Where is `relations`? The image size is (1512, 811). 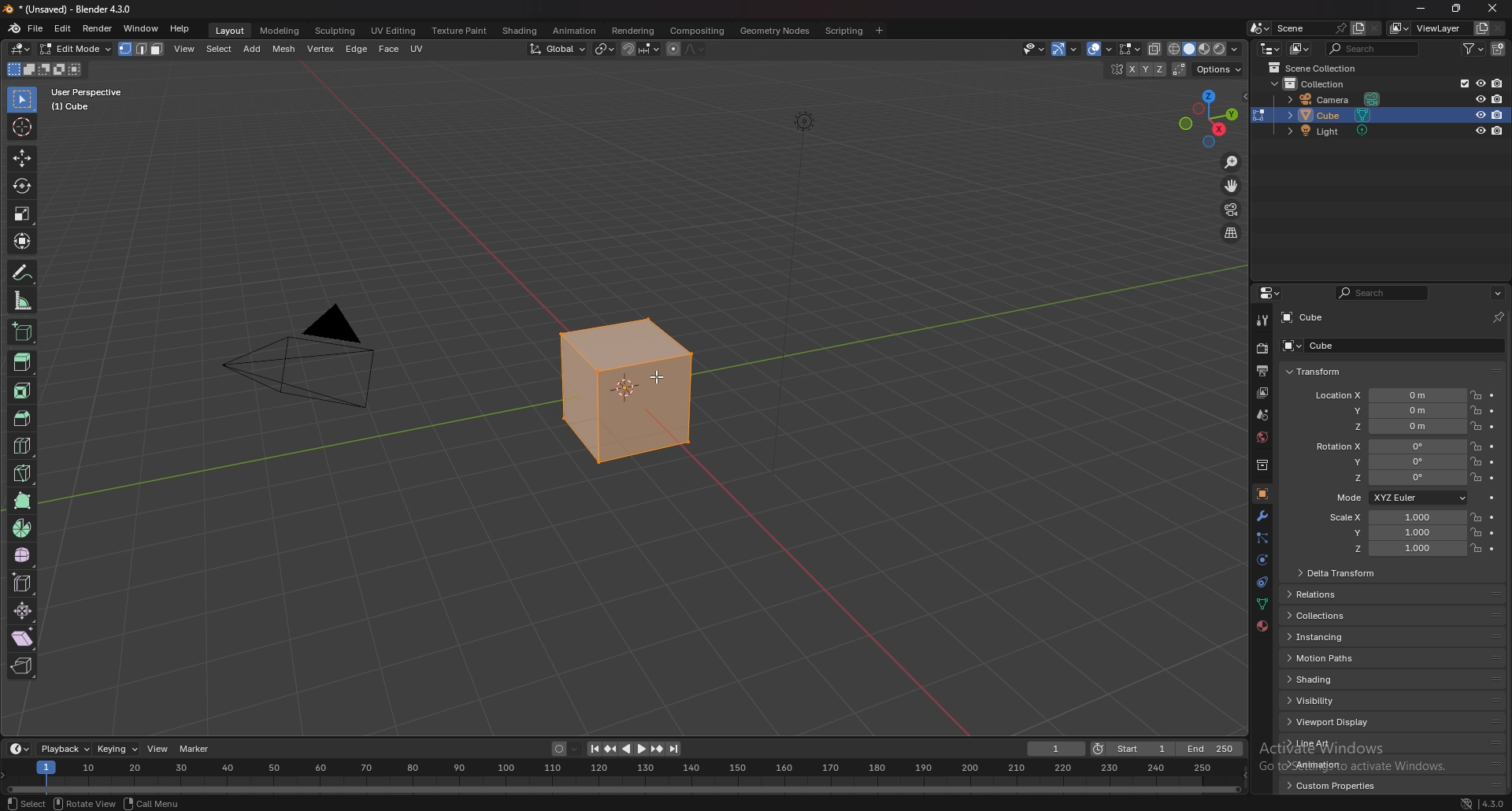 relations is located at coordinates (1340, 594).